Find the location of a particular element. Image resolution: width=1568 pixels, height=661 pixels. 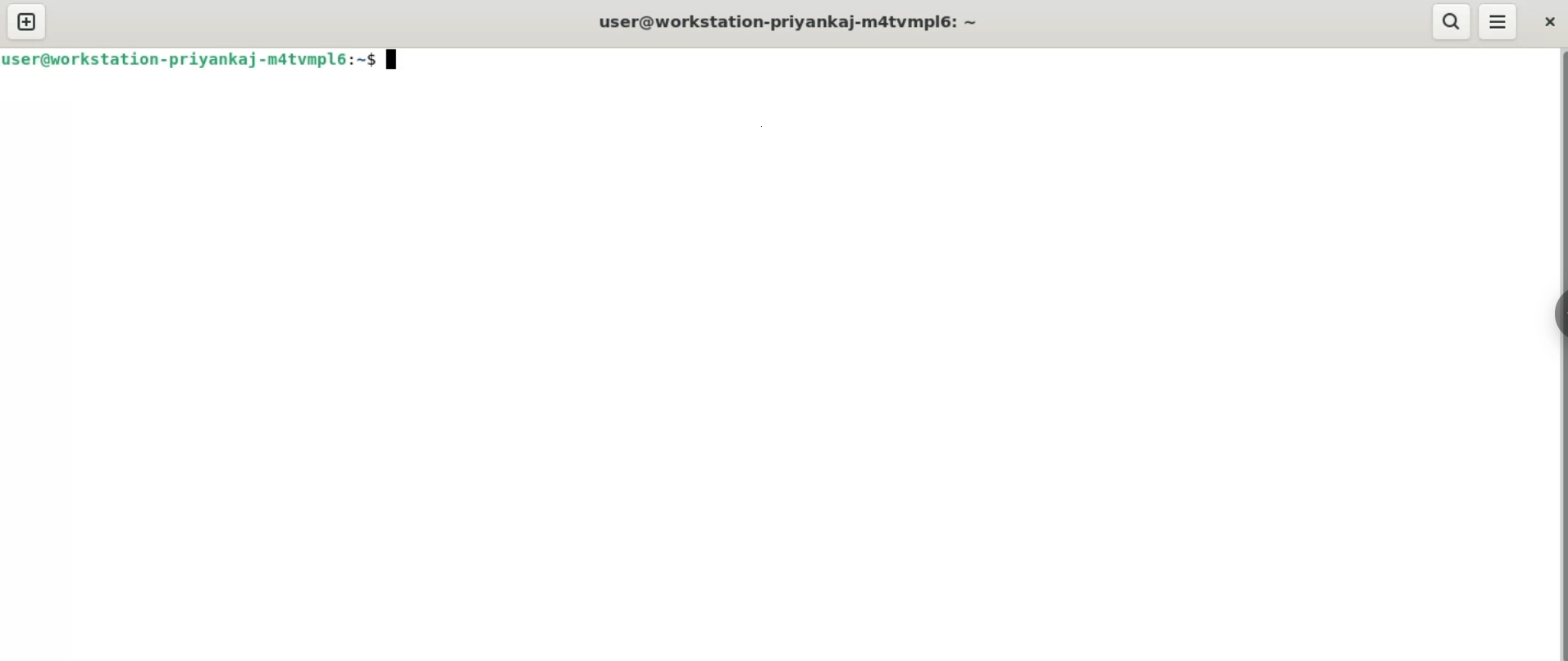

search is located at coordinates (1450, 21).